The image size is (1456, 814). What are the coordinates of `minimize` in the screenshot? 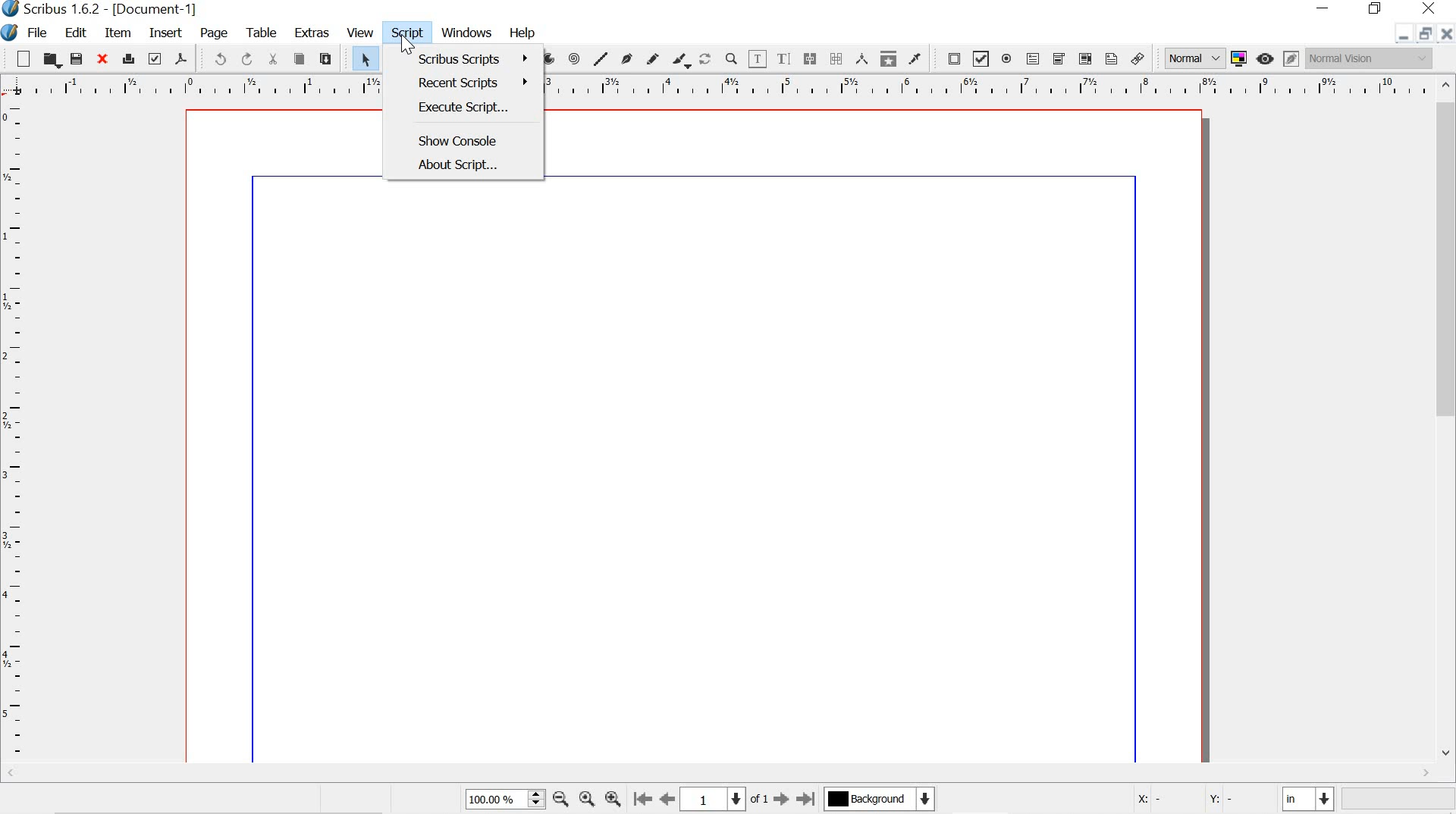 It's located at (1401, 37).